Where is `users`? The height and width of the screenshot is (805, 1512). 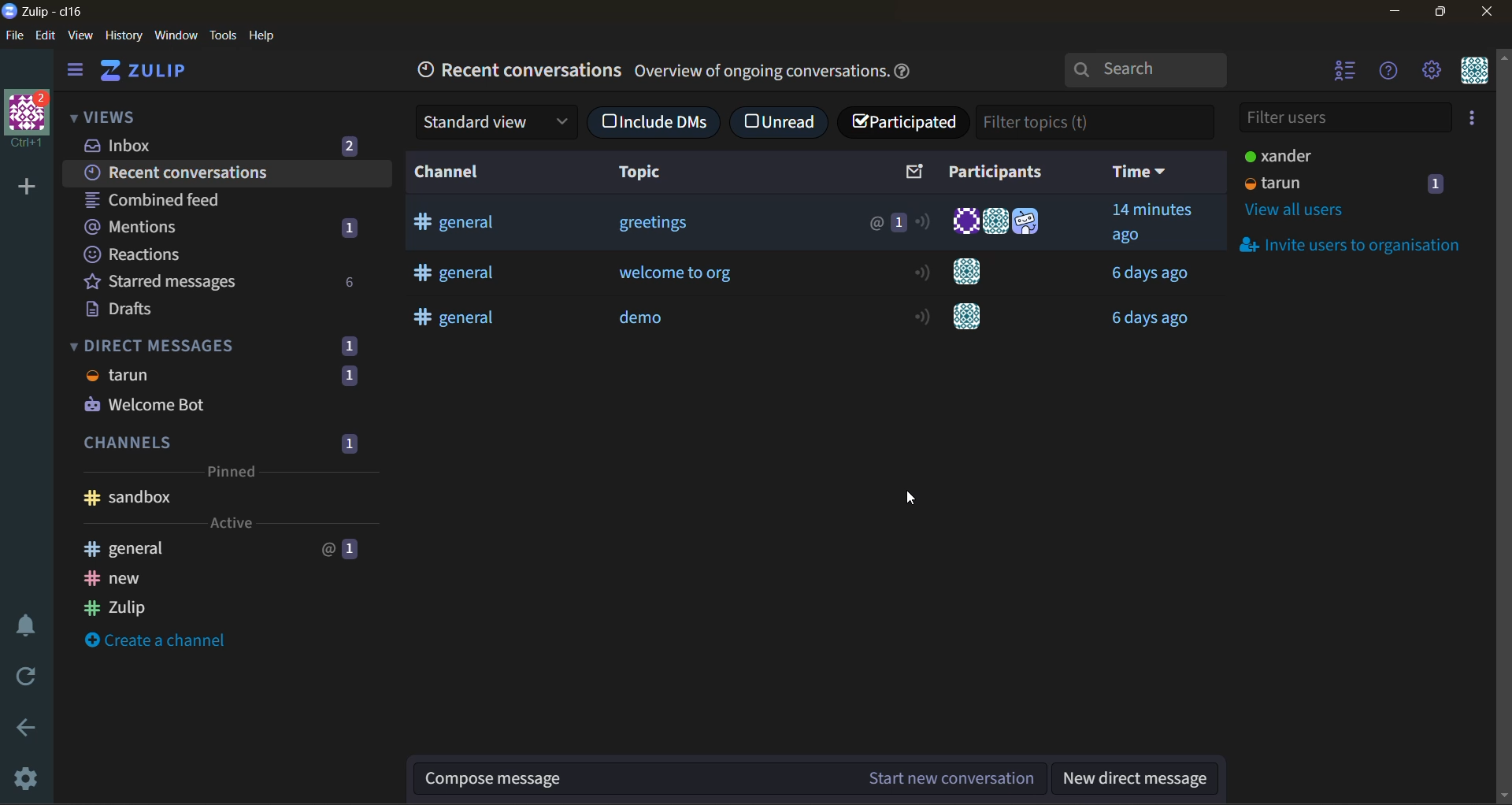
users is located at coordinates (999, 220).